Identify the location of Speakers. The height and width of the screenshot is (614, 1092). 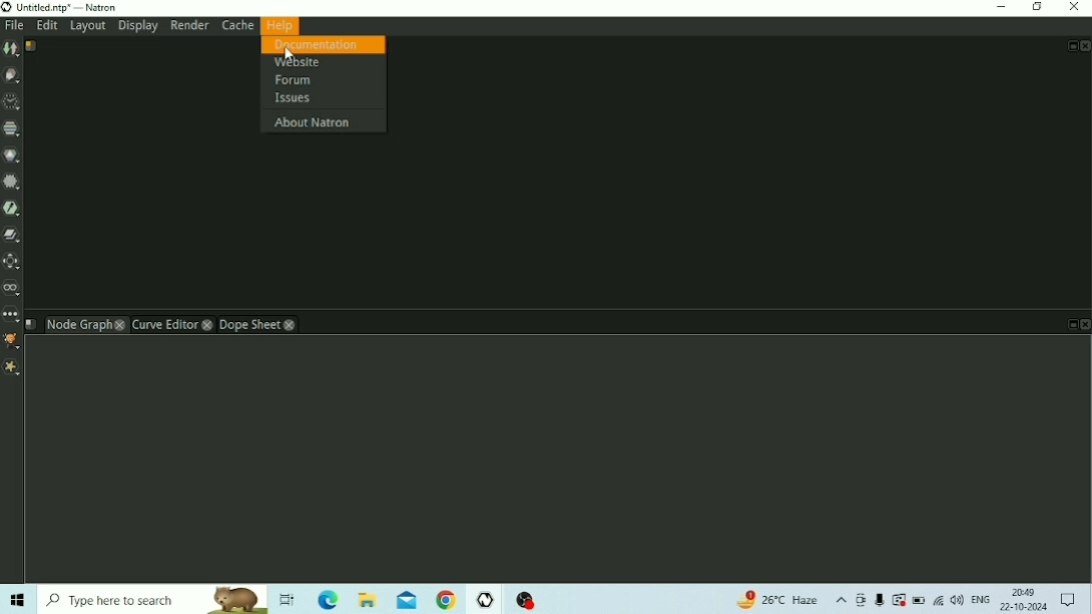
(957, 600).